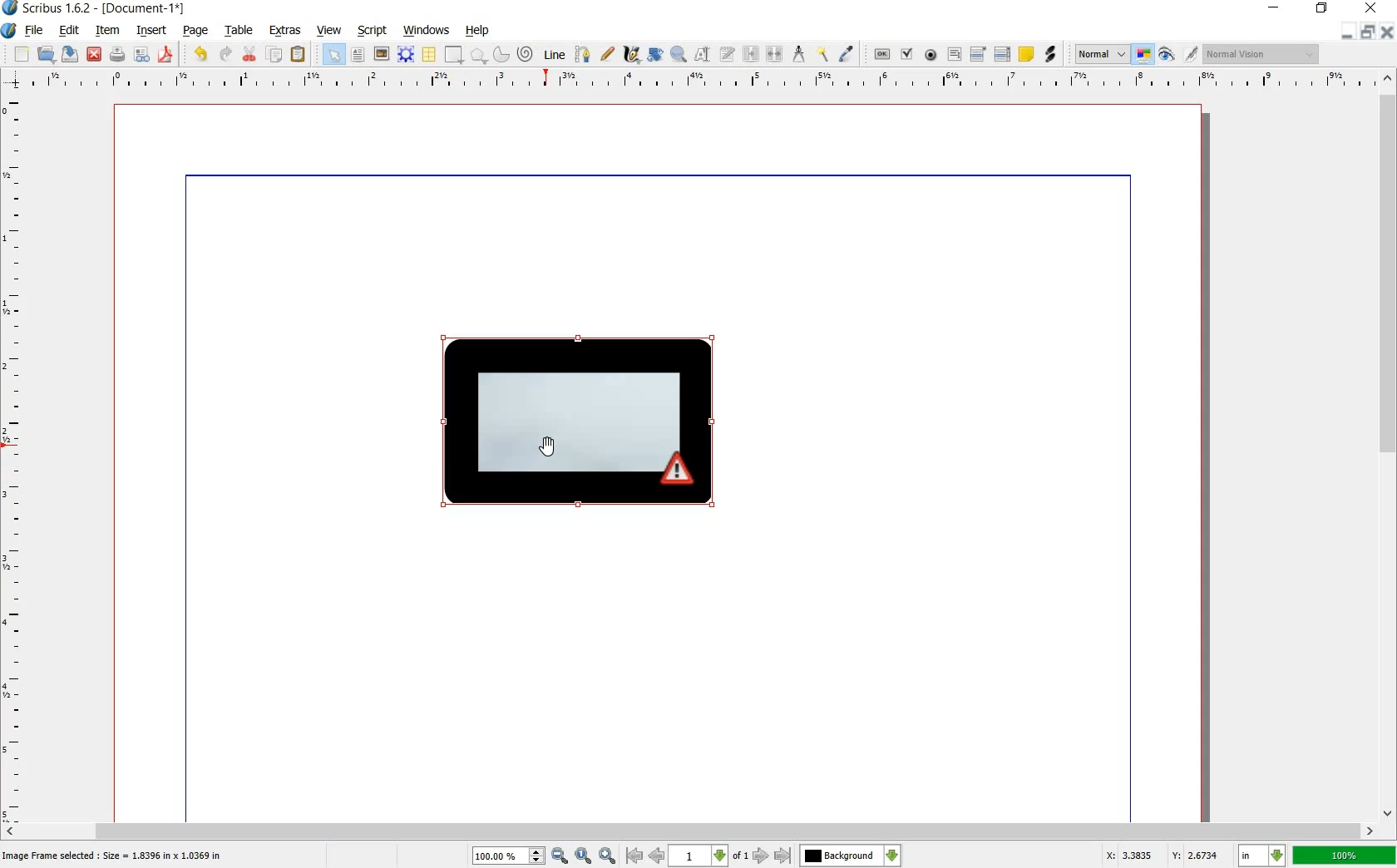  What do you see at coordinates (499, 55) in the screenshot?
I see `arc` at bounding box center [499, 55].